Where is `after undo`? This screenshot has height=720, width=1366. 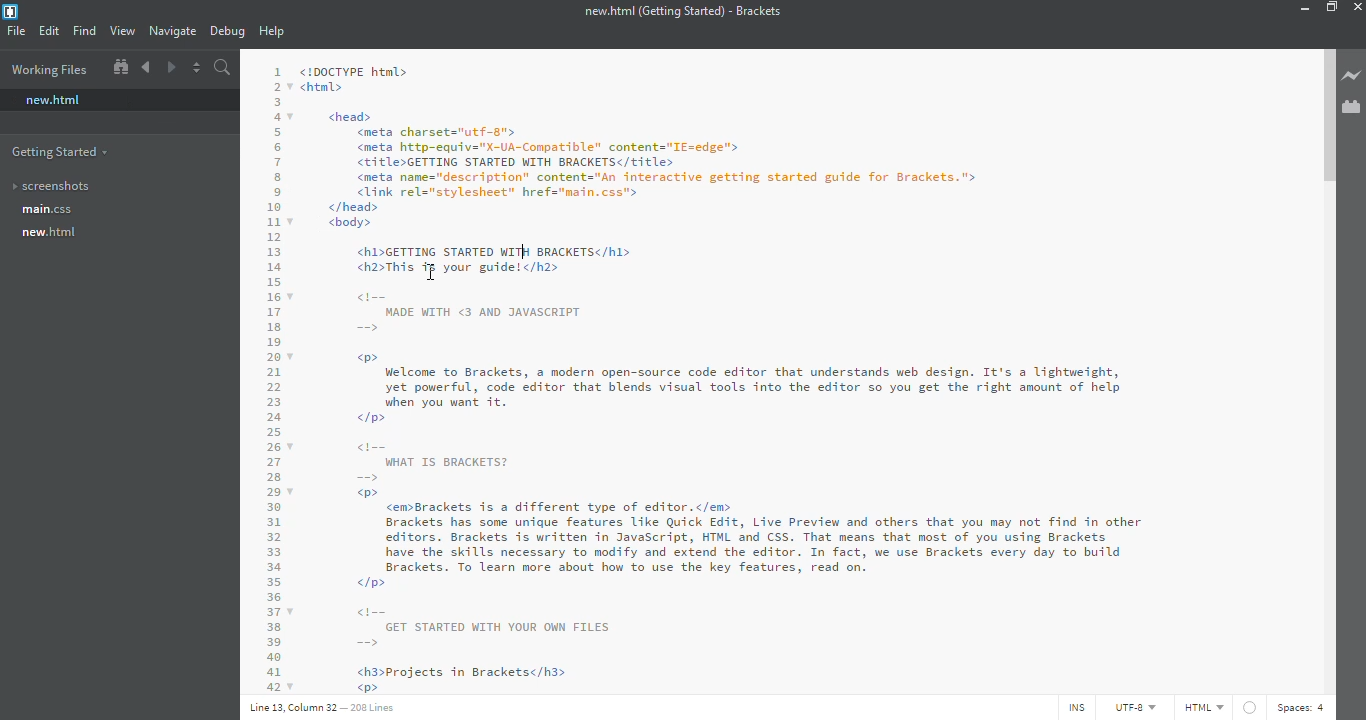
after undo is located at coordinates (516, 252).